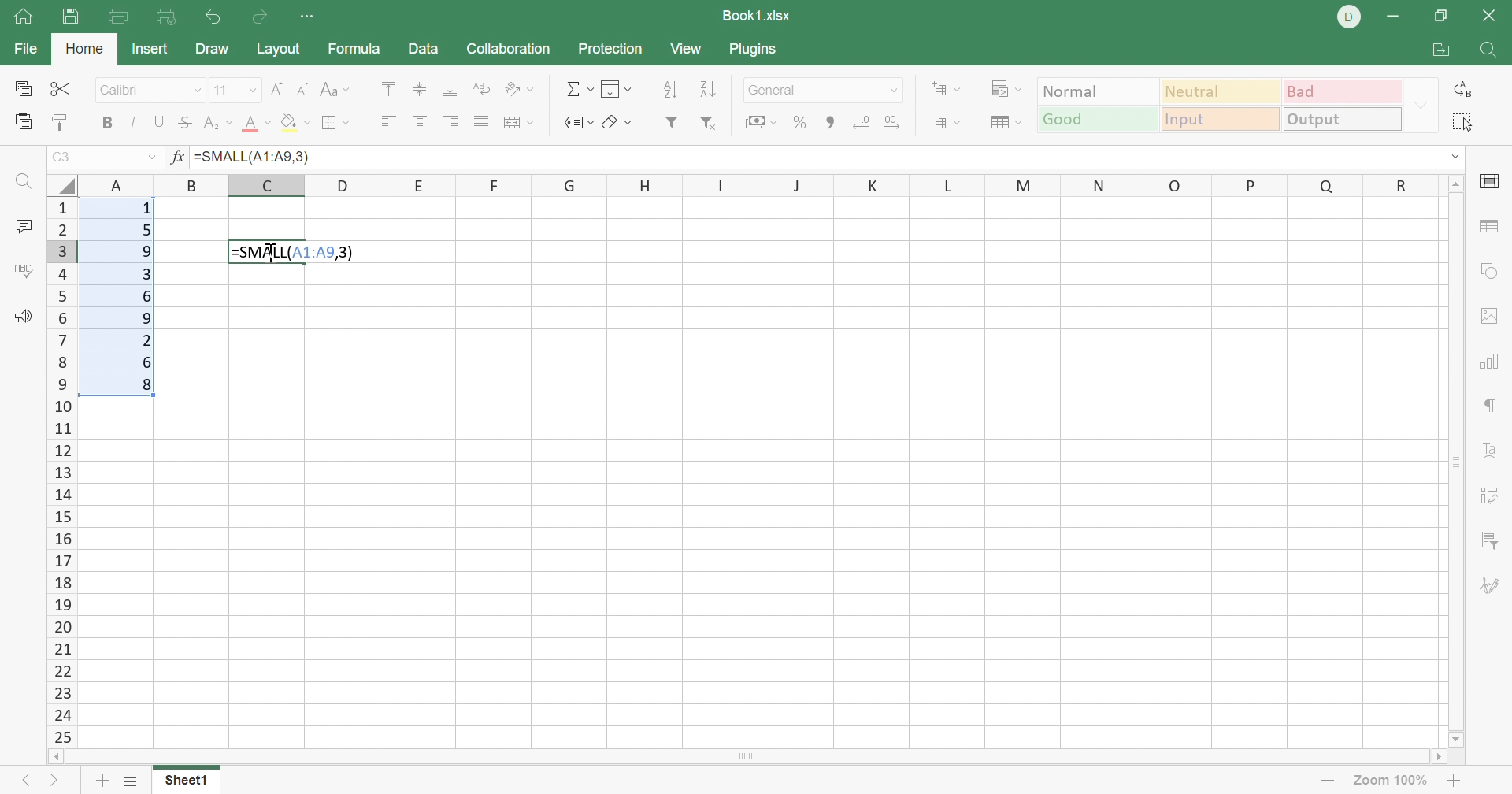  What do you see at coordinates (757, 13) in the screenshot?
I see `Book1.xlsx` at bounding box center [757, 13].